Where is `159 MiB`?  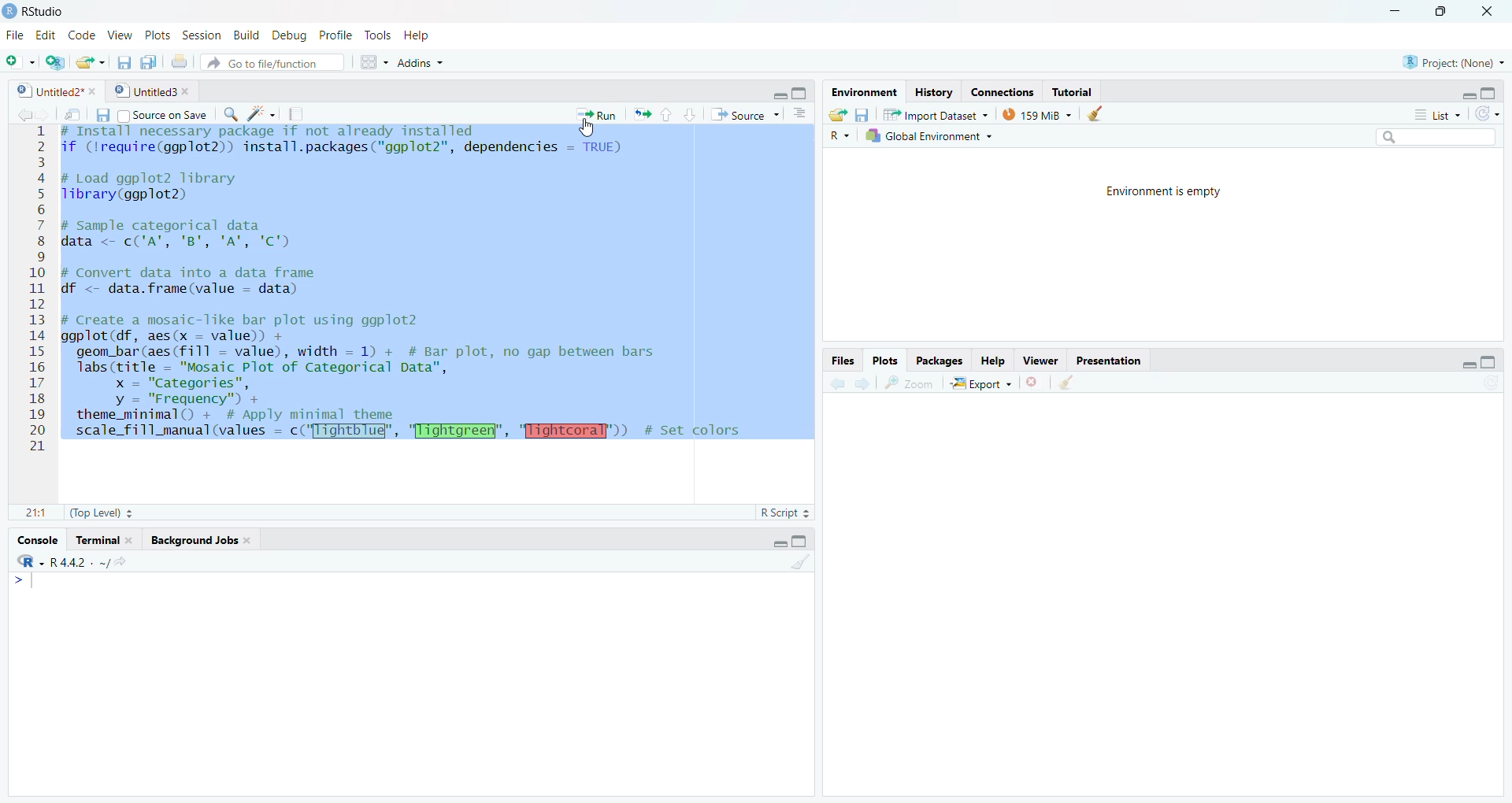
159 MiB is located at coordinates (1039, 113).